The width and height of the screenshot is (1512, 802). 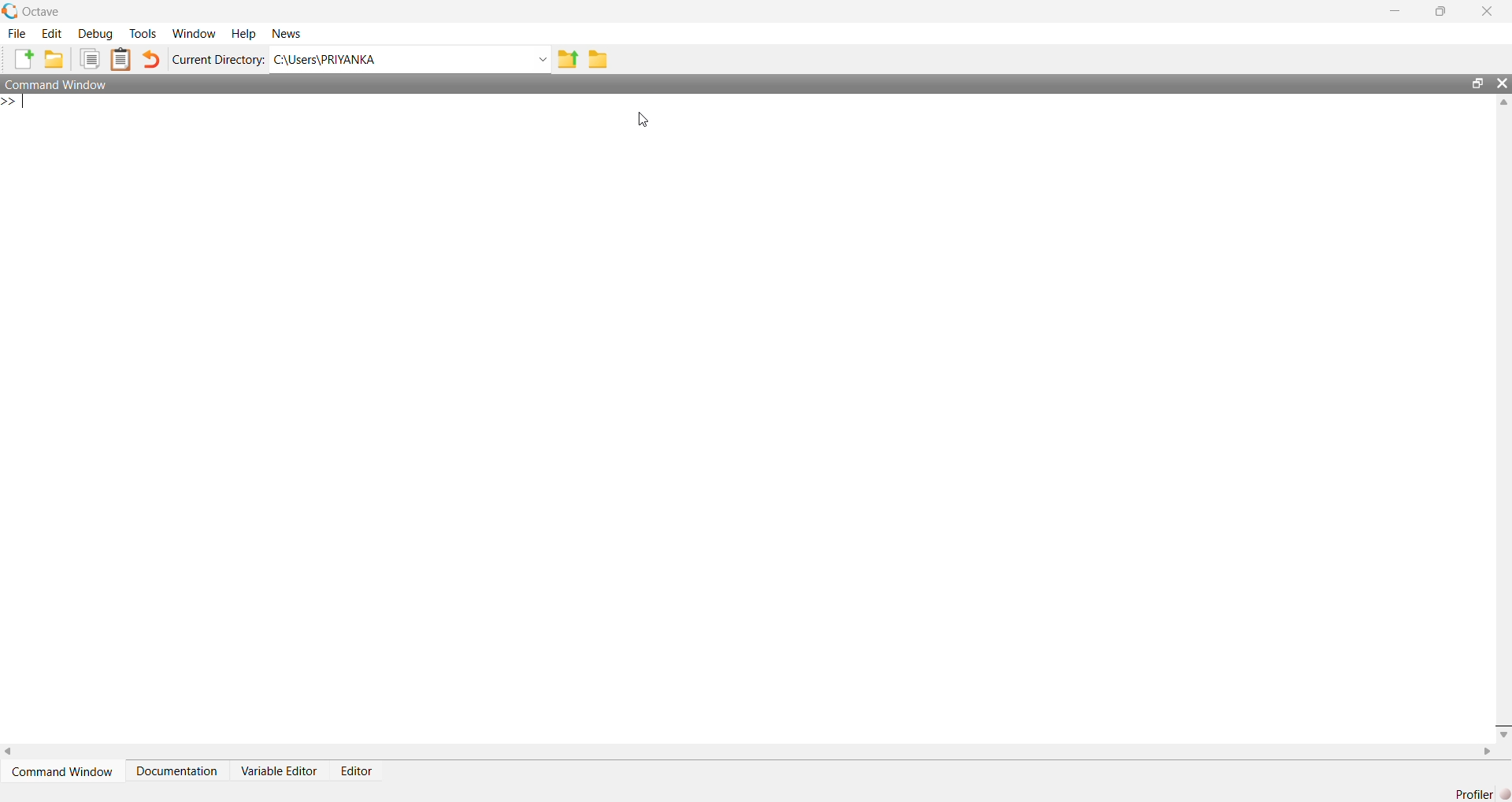 I want to click on Debug, so click(x=94, y=33).